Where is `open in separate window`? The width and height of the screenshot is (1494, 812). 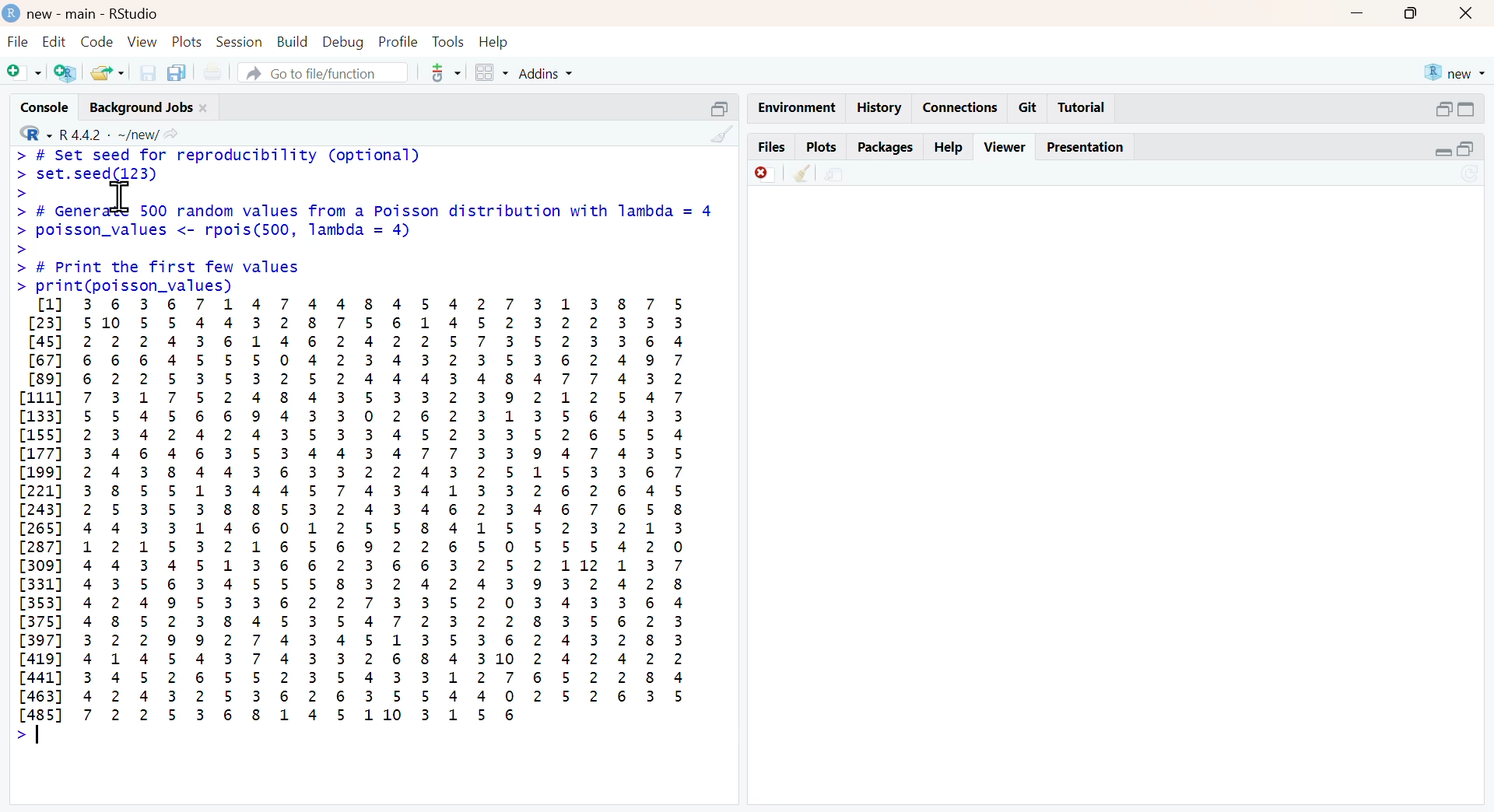 open in separate window is located at coordinates (1444, 110).